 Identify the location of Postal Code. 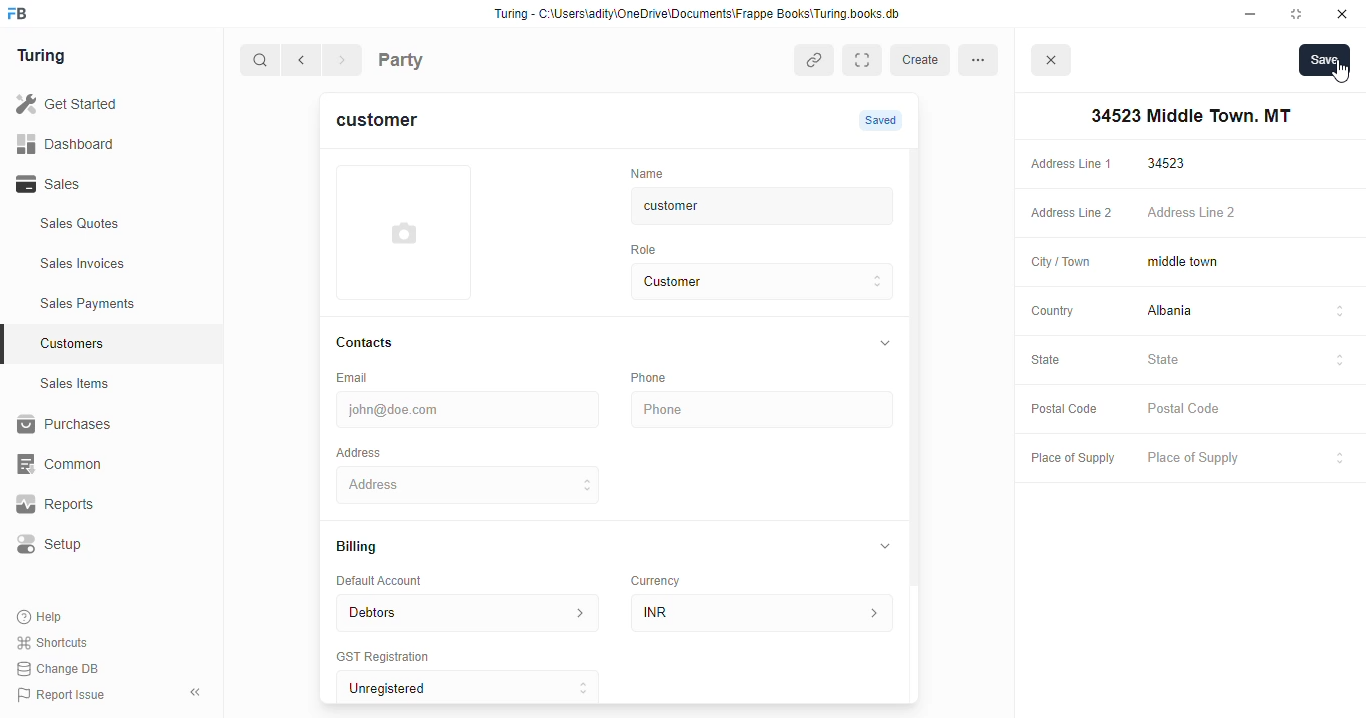
(1247, 410).